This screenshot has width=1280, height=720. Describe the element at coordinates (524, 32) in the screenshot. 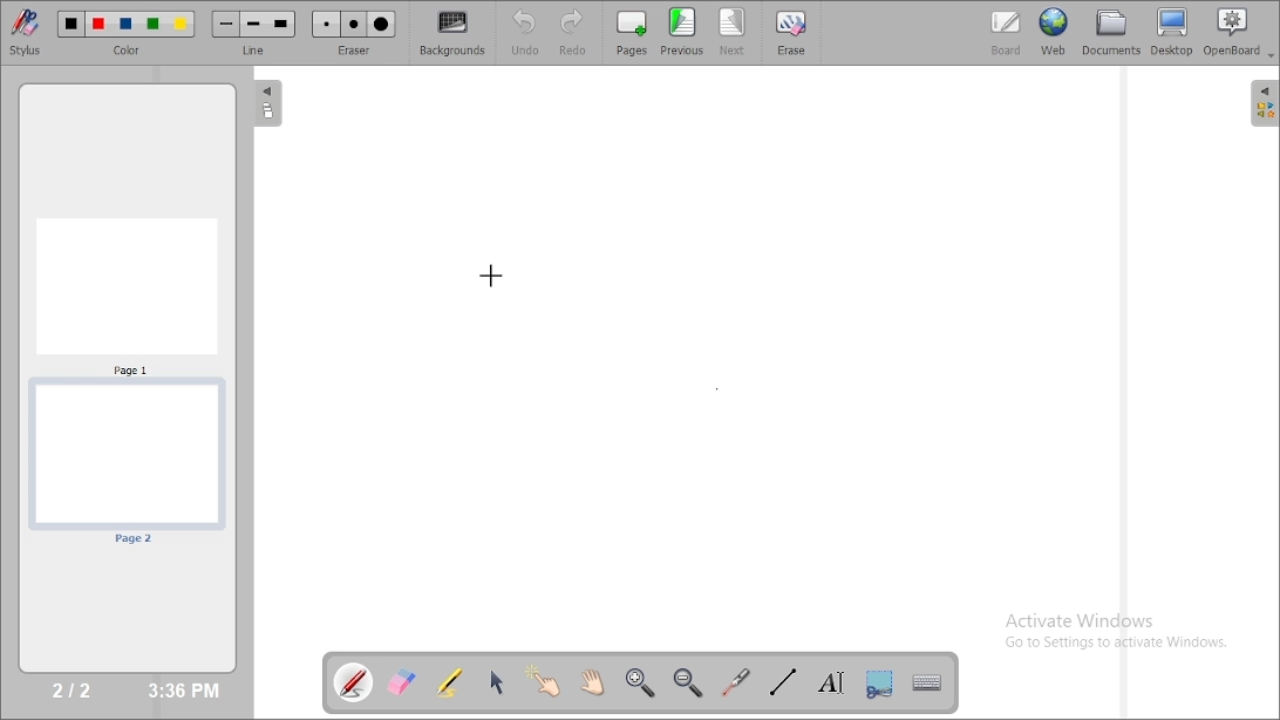

I see `undo` at that location.